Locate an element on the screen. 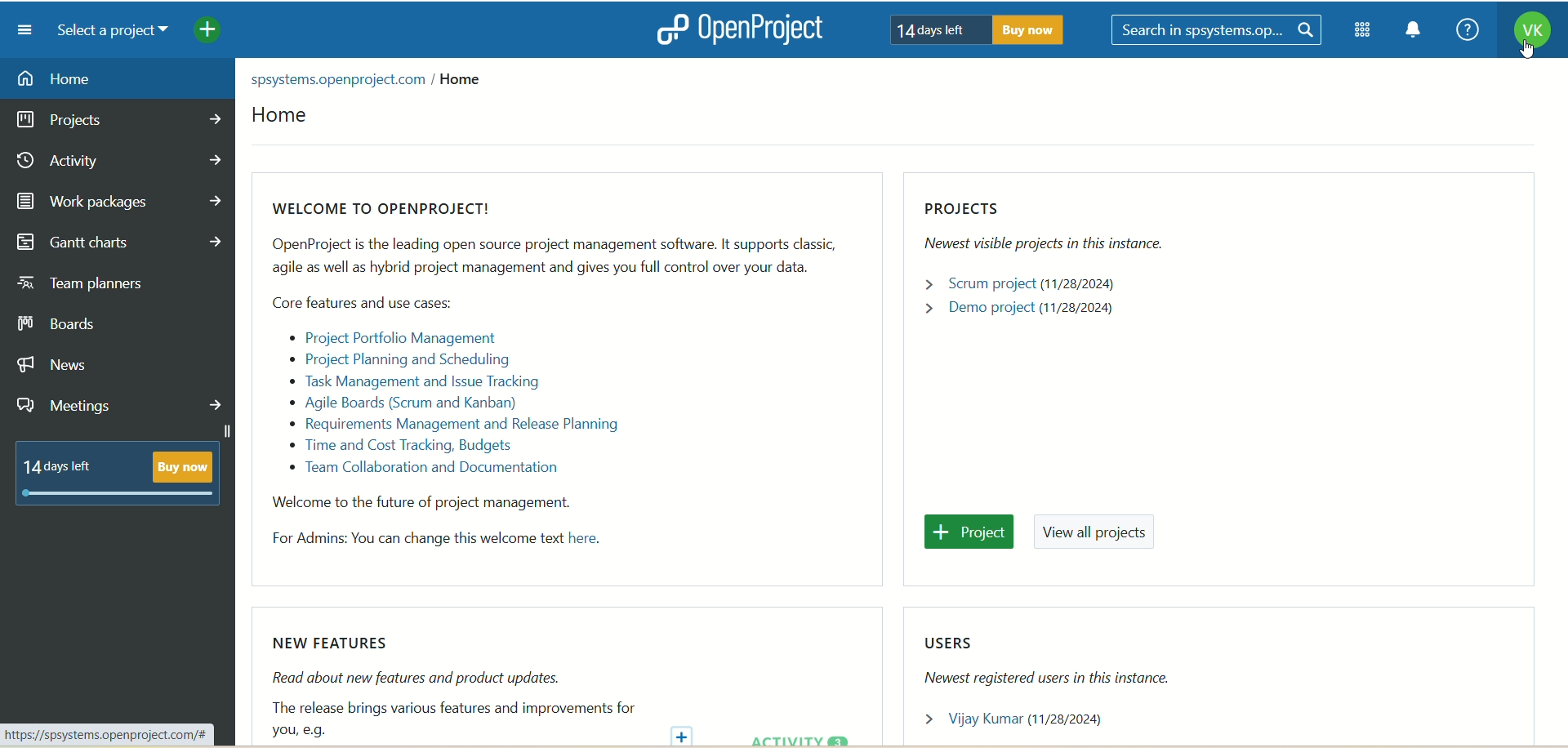 The image size is (1568, 748). view all projects is located at coordinates (1099, 535).